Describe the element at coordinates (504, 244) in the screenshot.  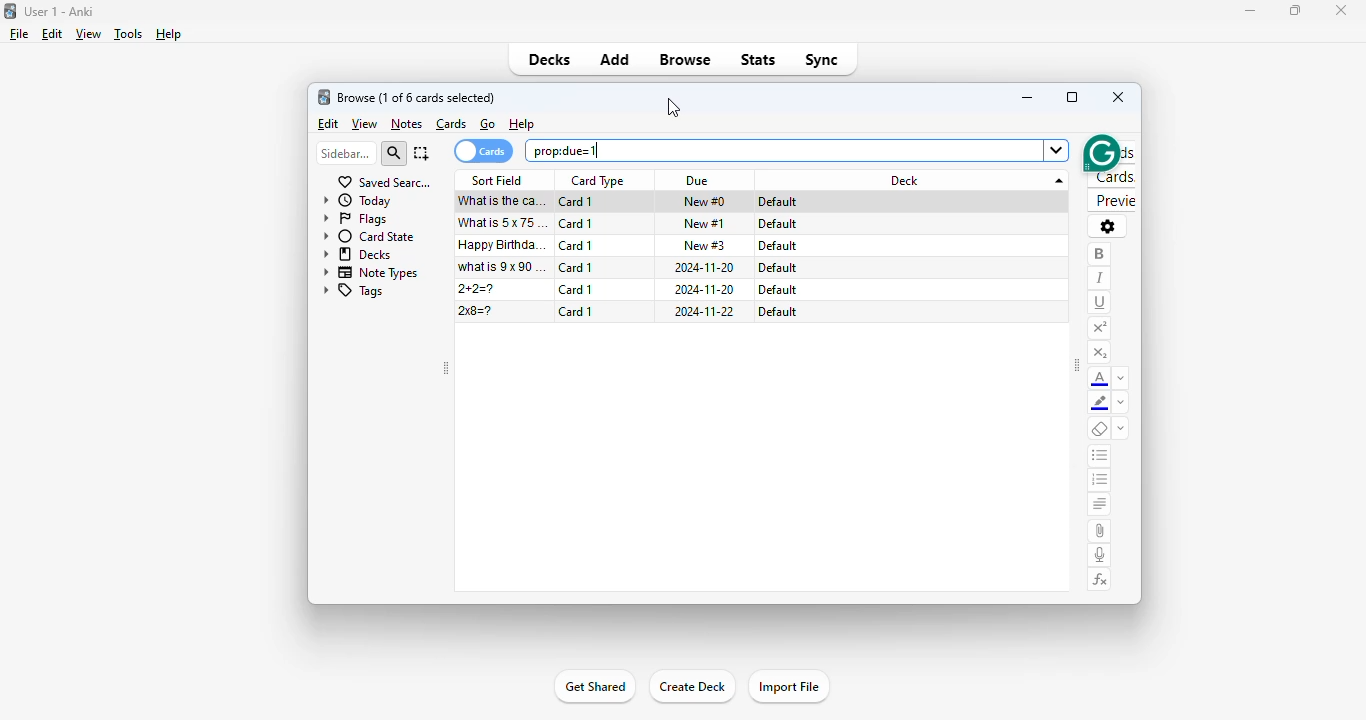
I see `happy birthday song!!!.mp3` at that location.